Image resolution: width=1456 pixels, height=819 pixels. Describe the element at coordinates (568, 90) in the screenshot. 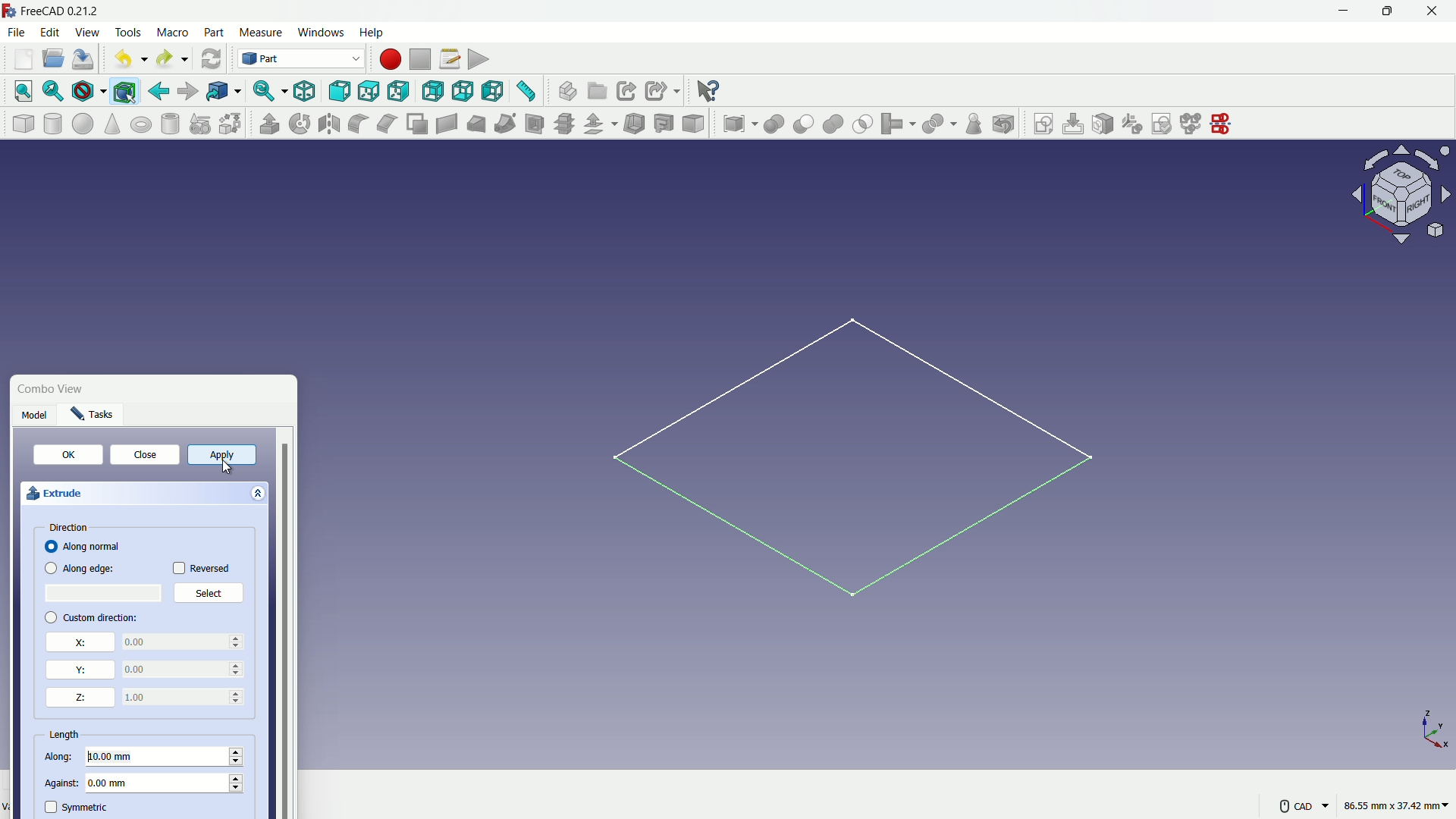

I see `create part` at that location.